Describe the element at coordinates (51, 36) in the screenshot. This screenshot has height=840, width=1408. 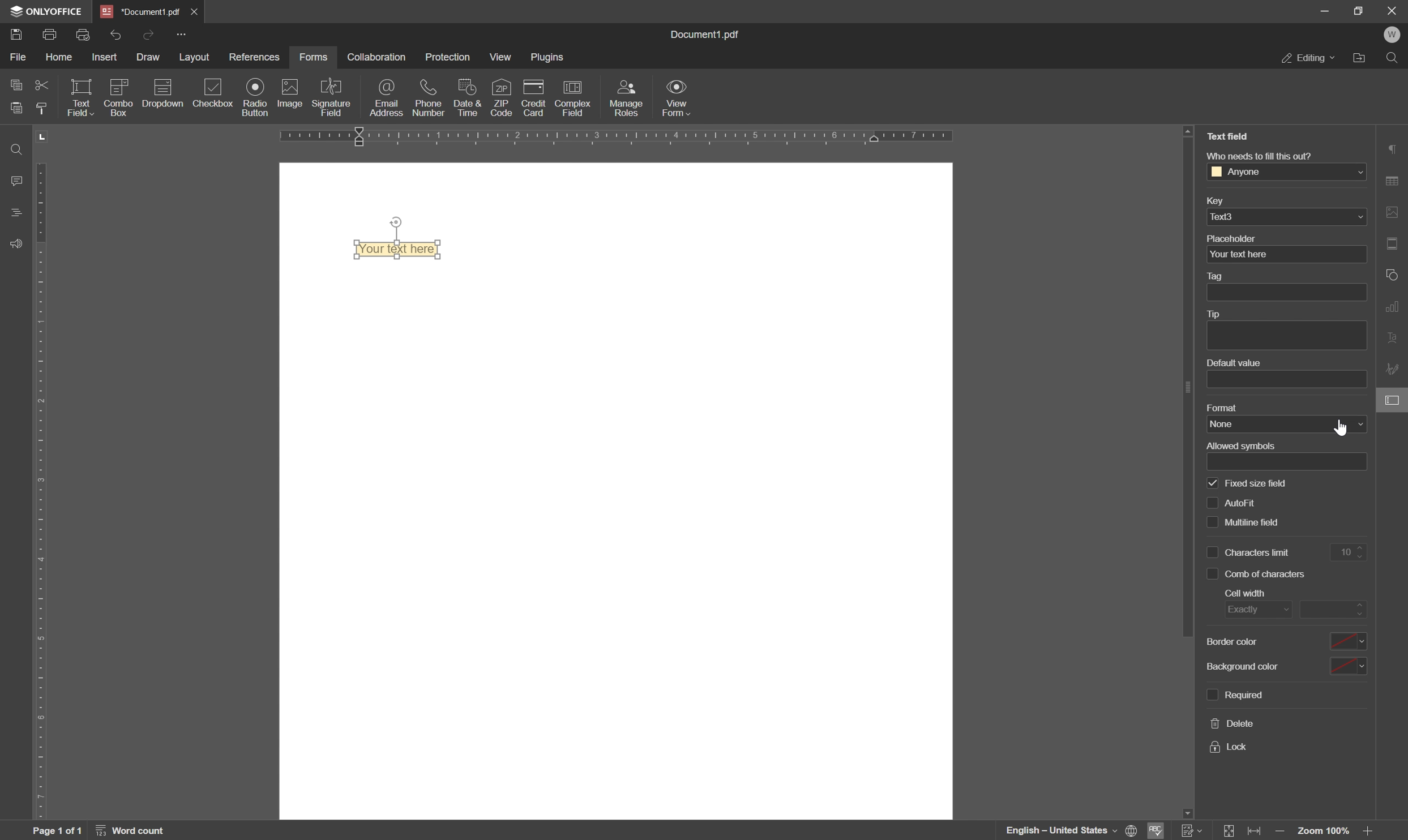
I see `print` at that location.